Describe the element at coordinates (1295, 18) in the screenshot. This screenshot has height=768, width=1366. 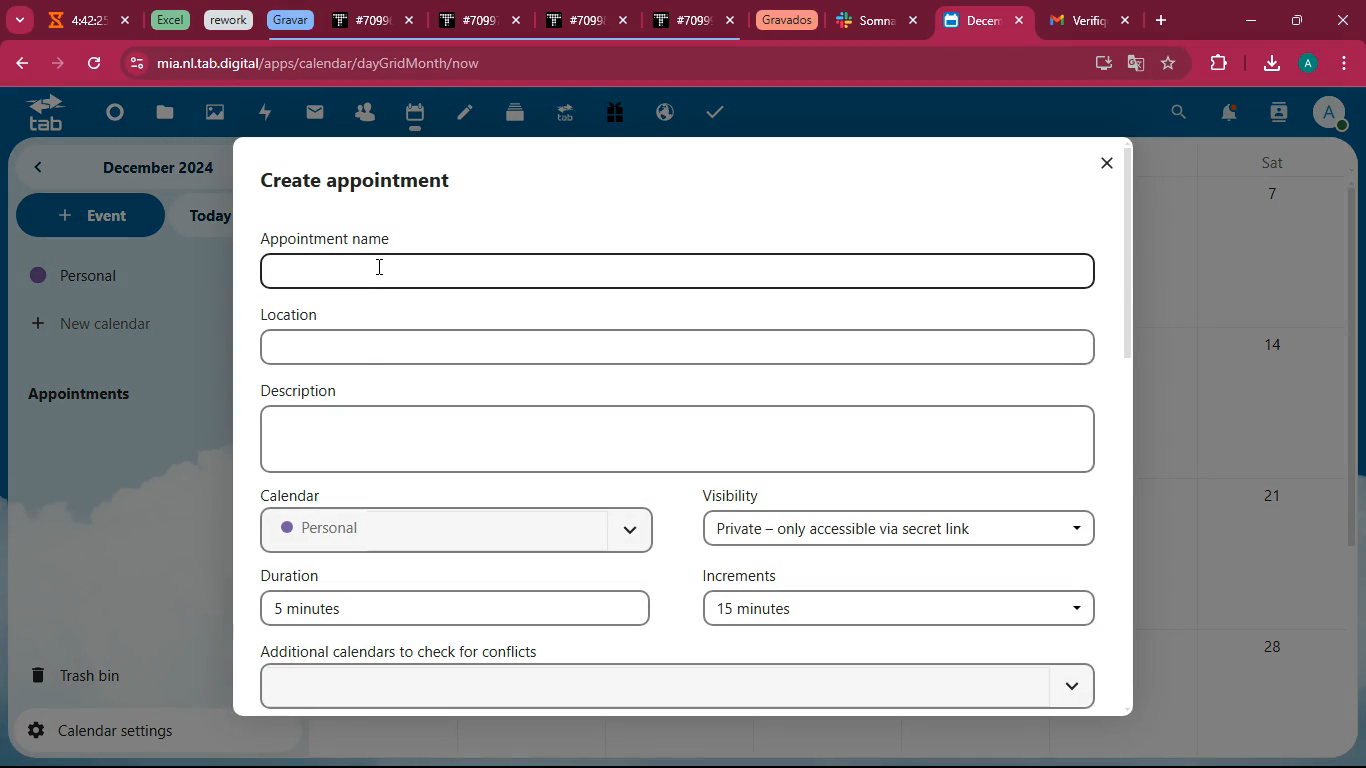
I see `maximize` at that location.